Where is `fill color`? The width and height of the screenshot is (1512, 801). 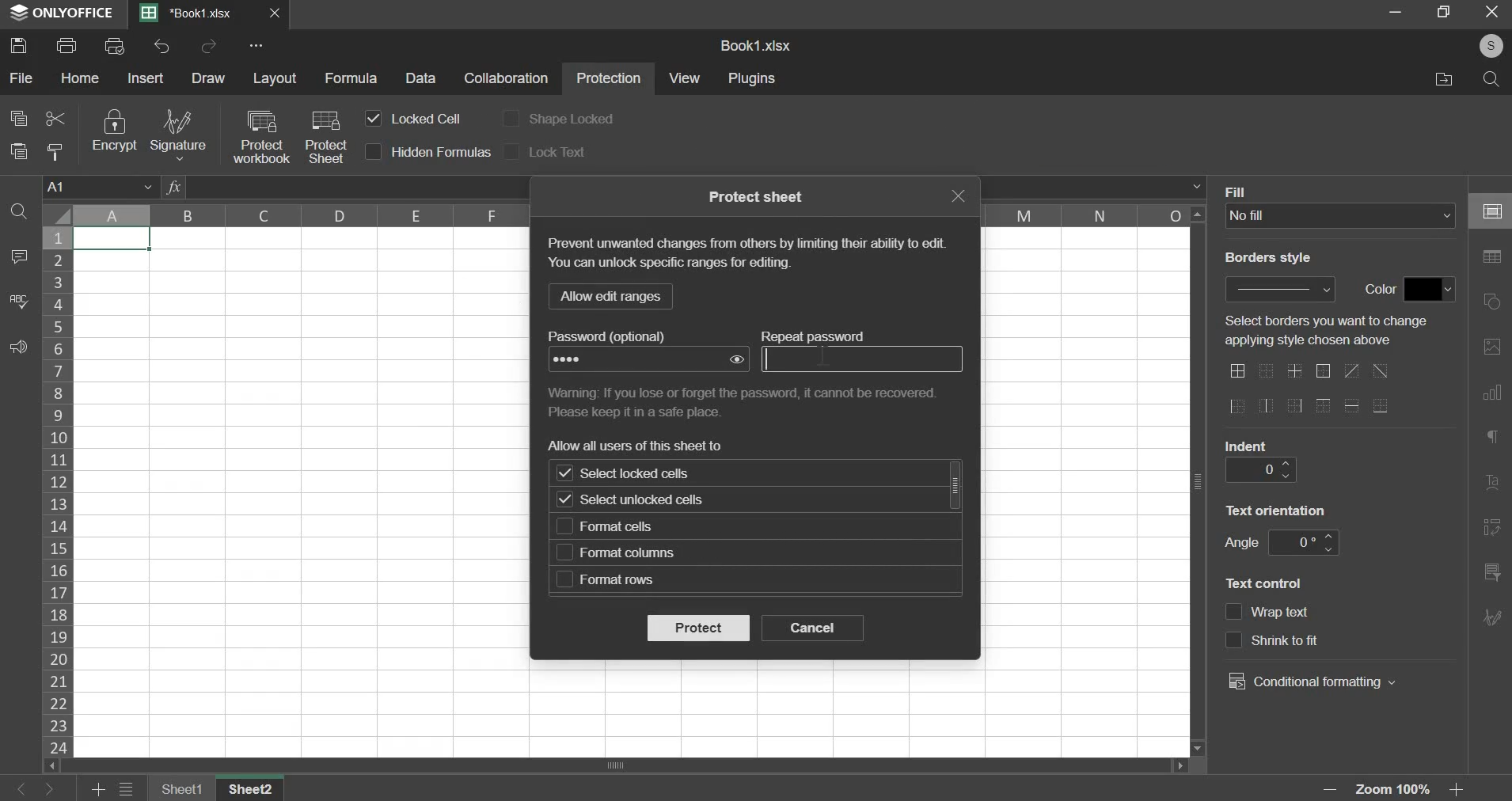 fill color is located at coordinates (1430, 289).